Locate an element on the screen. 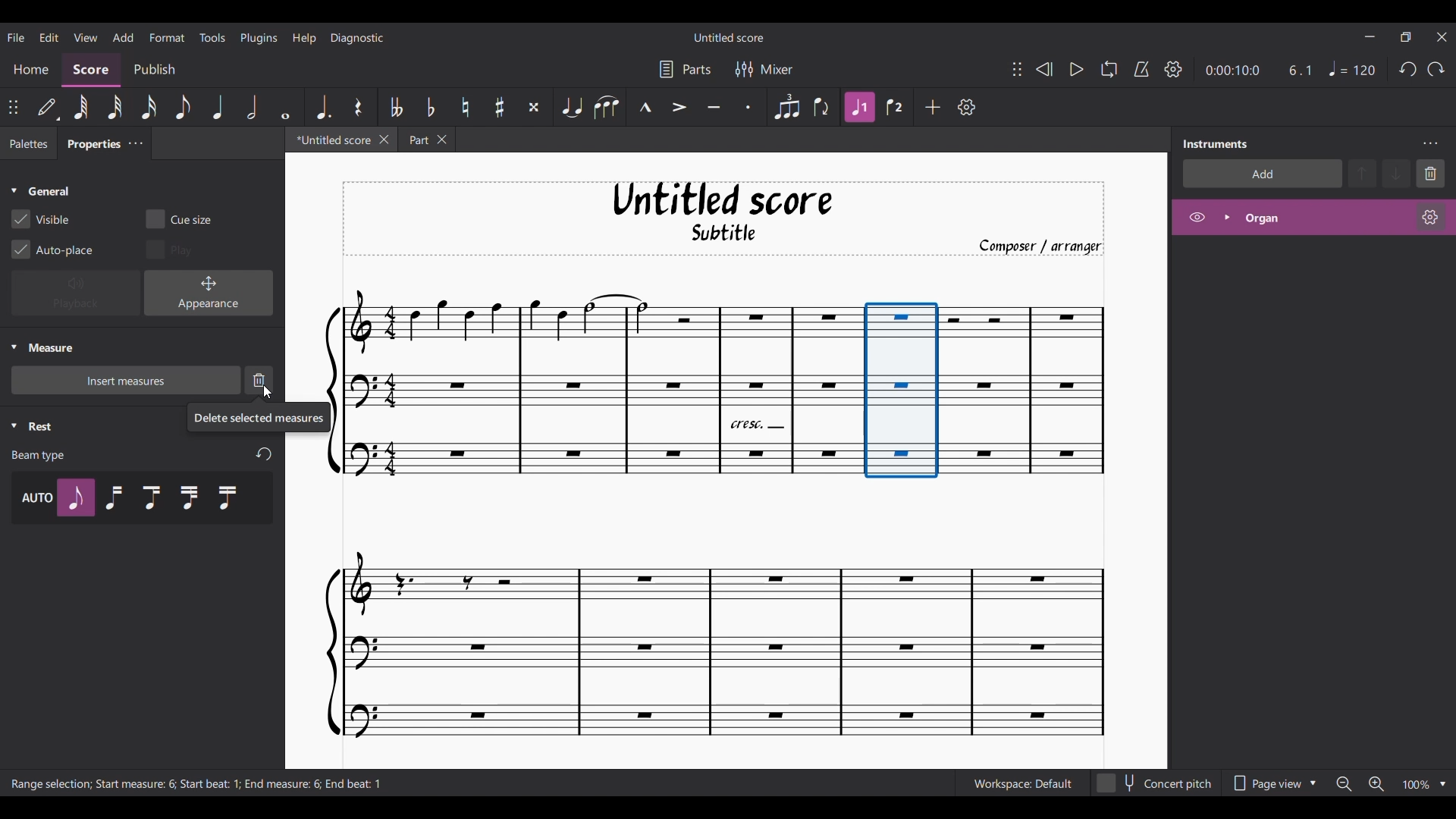 This screenshot has height=819, width=1456. Undo is located at coordinates (1407, 69).